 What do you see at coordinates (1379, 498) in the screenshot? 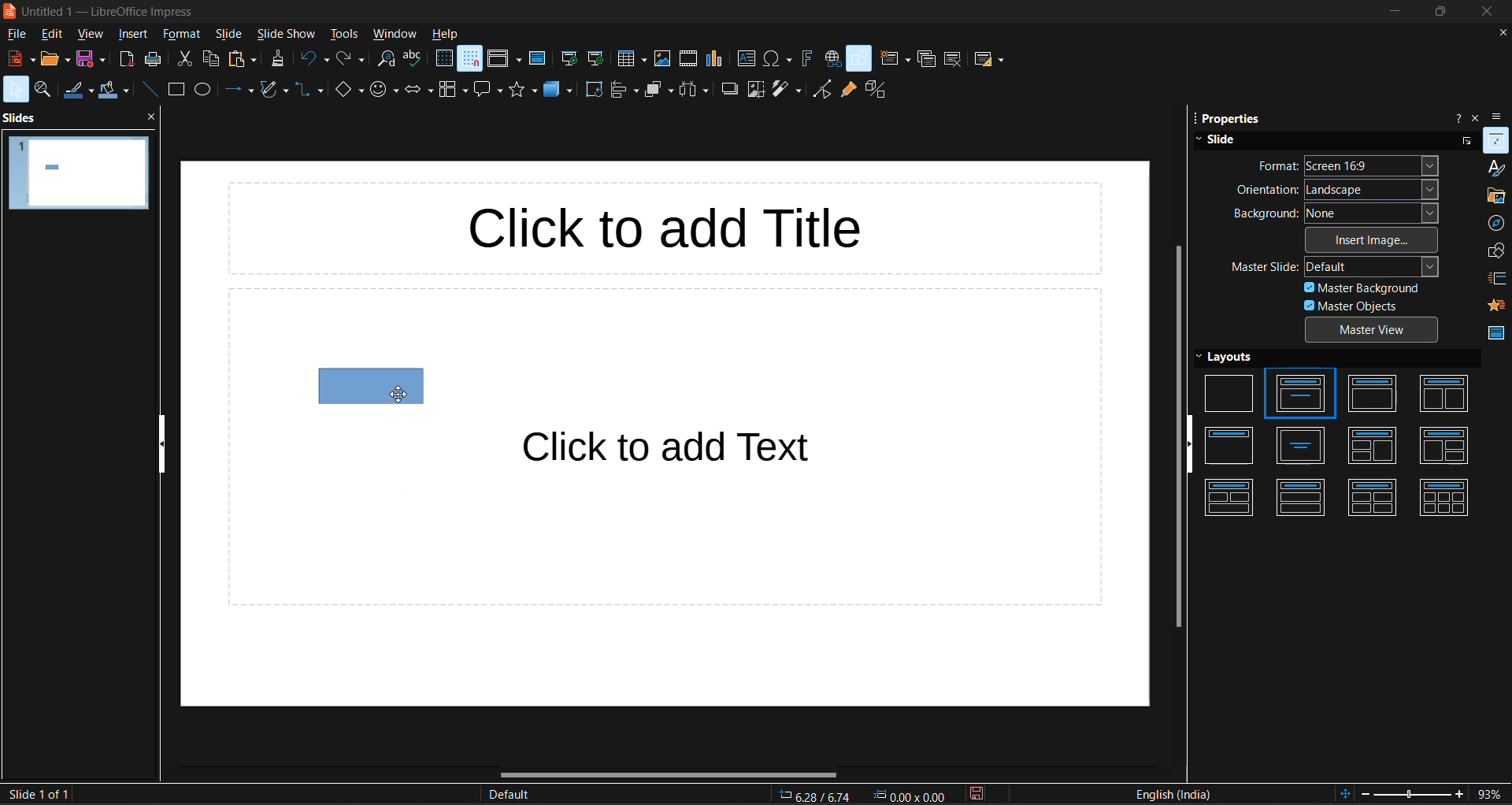
I see `title, 4 content` at bounding box center [1379, 498].